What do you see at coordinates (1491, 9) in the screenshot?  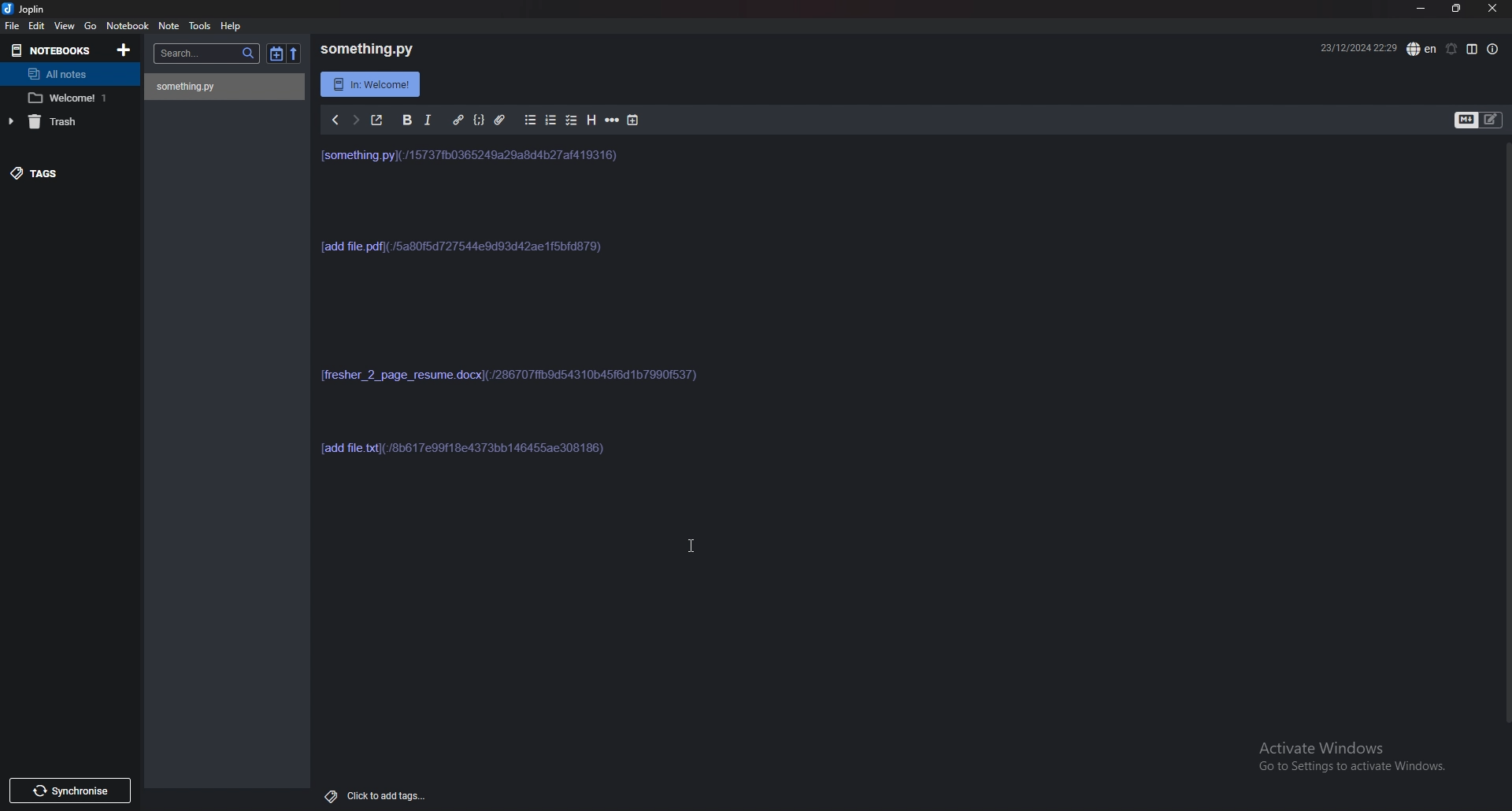 I see `close` at bounding box center [1491, 9].